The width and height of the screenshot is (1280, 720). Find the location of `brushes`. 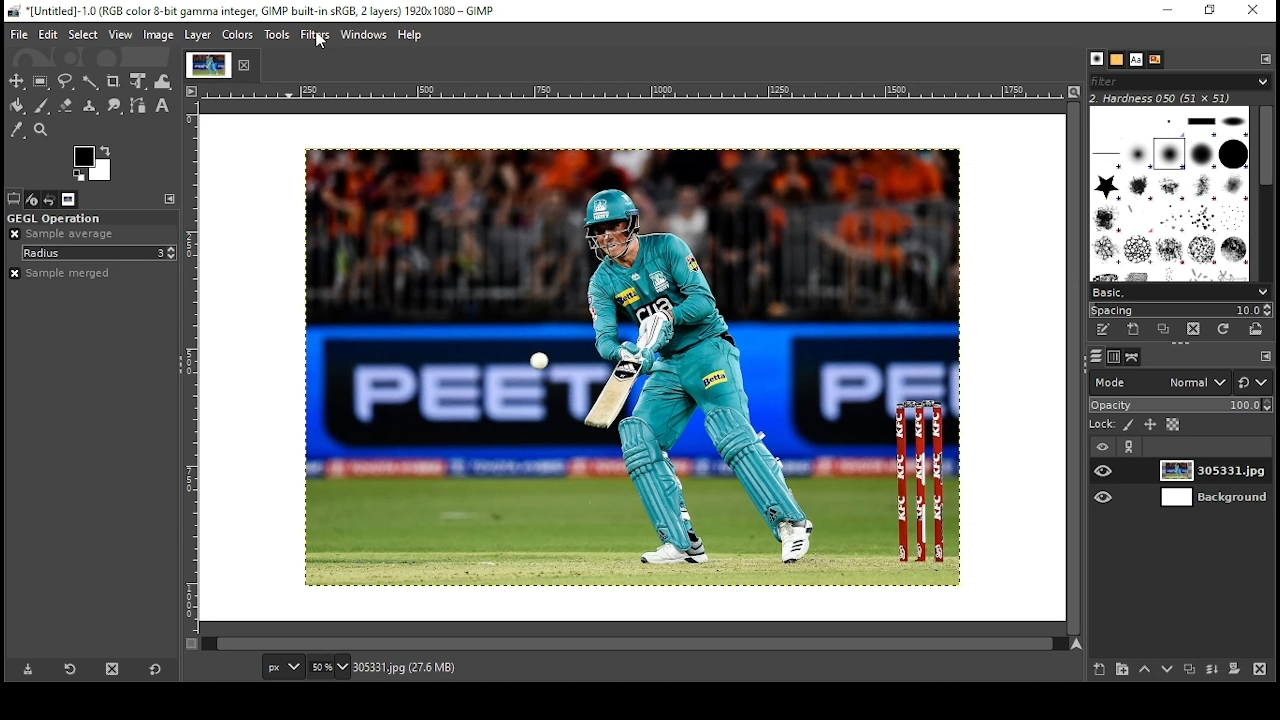

brushes is located at coordinates (1172, 196).